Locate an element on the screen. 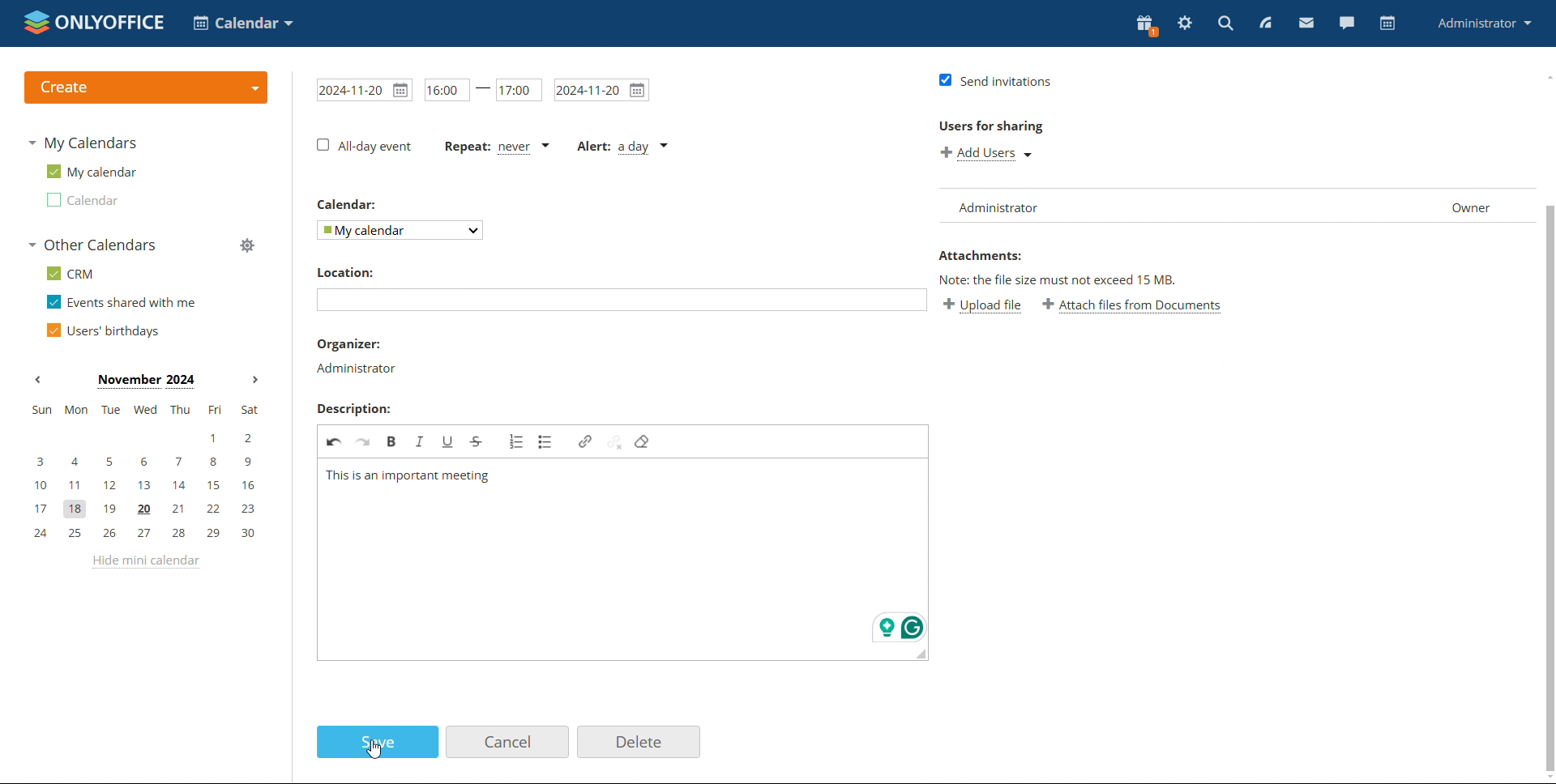 This screenshot has width=1556, height=784. add users is located at coordinates (983, 154).